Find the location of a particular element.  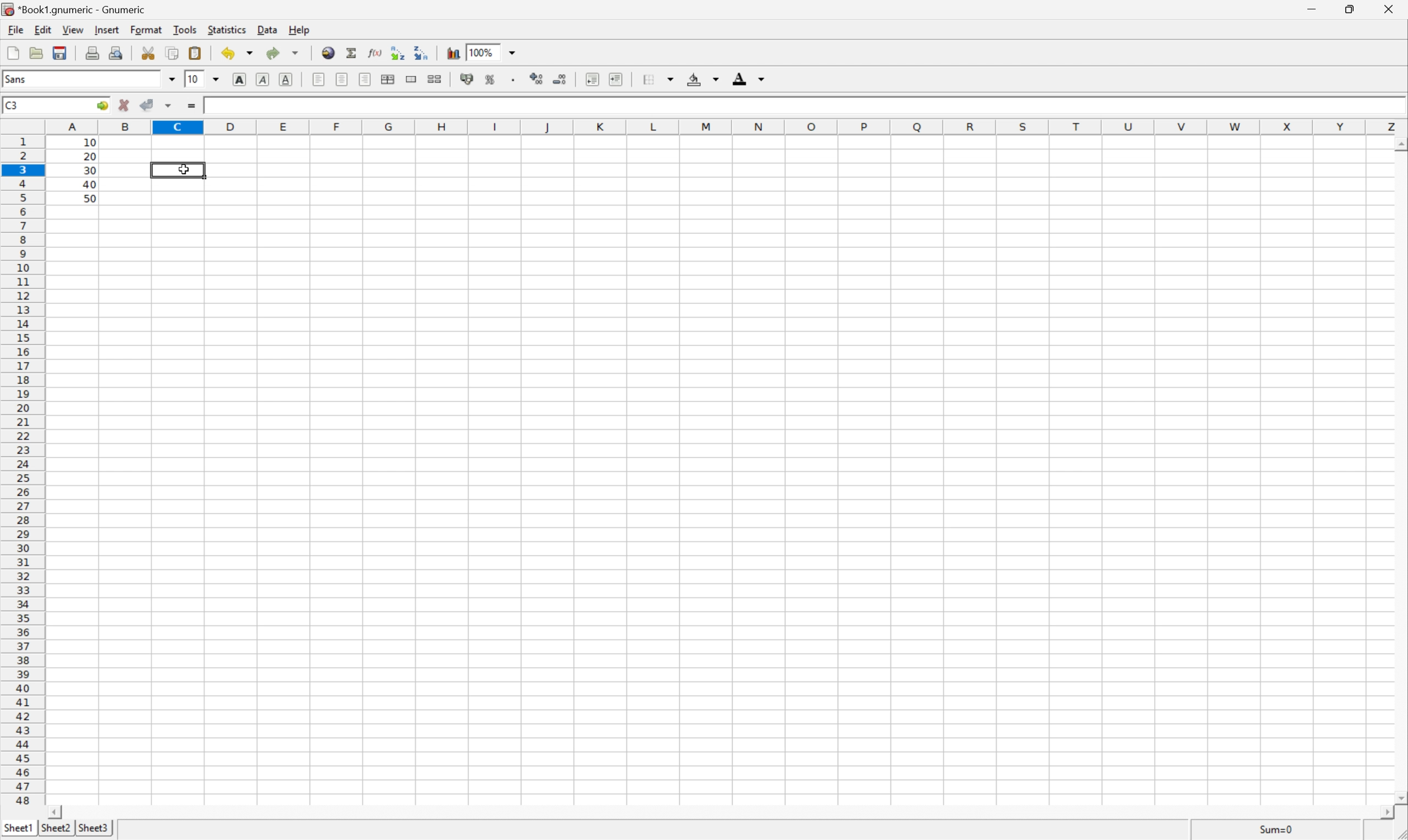

Underline text is located at coordinates (286, 81).